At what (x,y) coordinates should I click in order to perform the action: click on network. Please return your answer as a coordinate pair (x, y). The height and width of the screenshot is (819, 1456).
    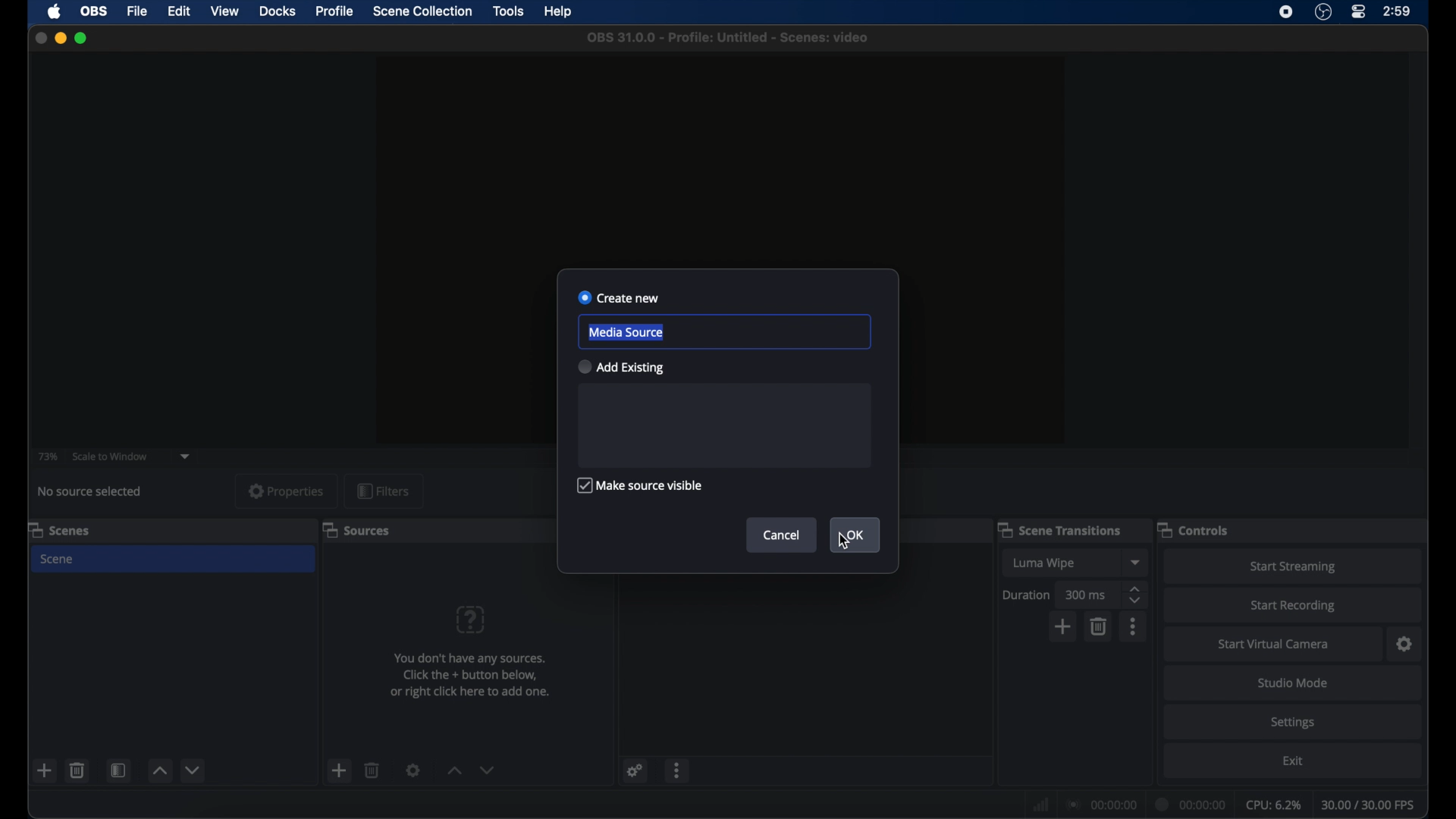
    Looking at the image, I should click on (1041, 805).